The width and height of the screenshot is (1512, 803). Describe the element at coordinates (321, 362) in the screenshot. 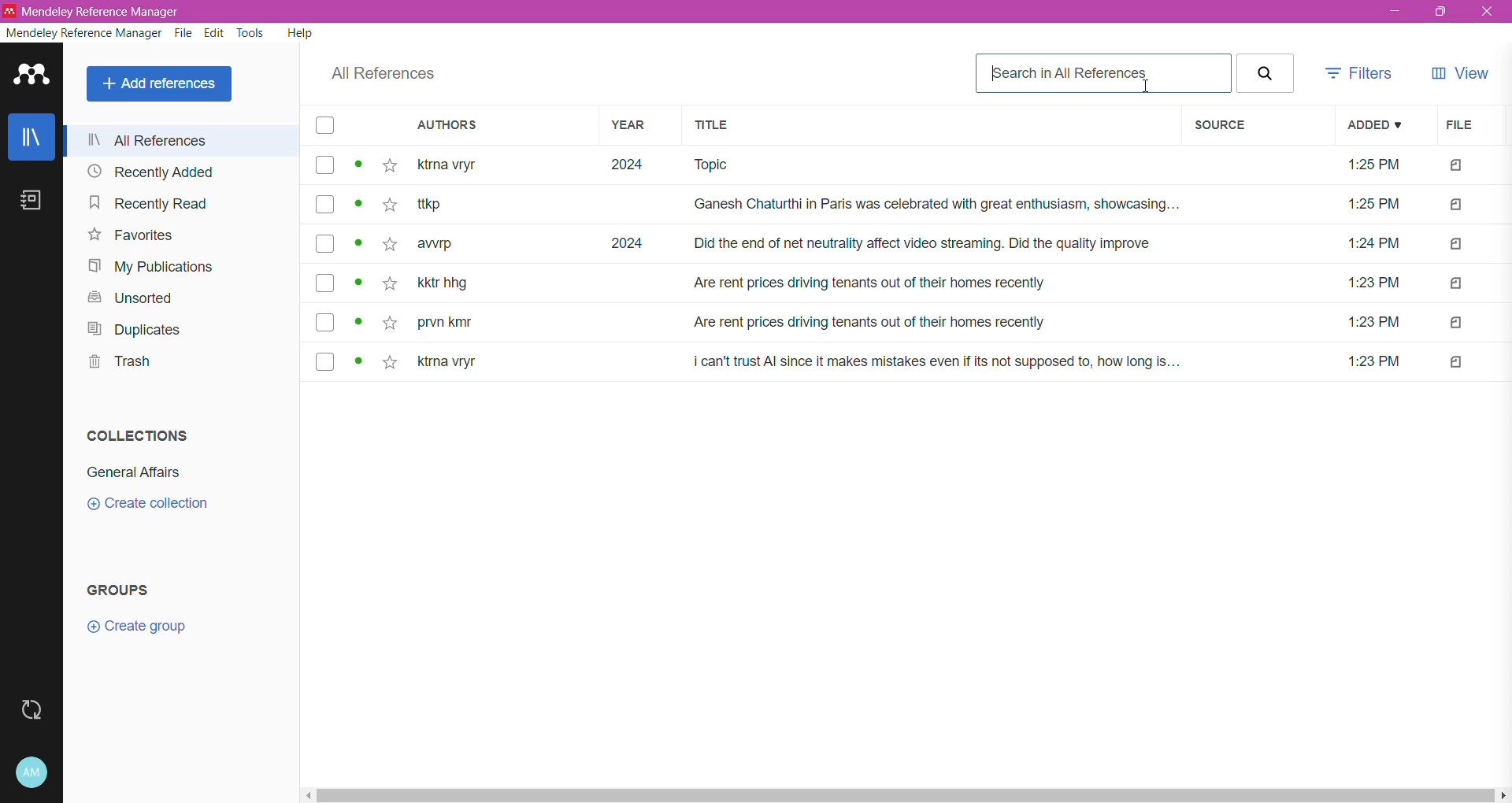

I see `select file` at that location.